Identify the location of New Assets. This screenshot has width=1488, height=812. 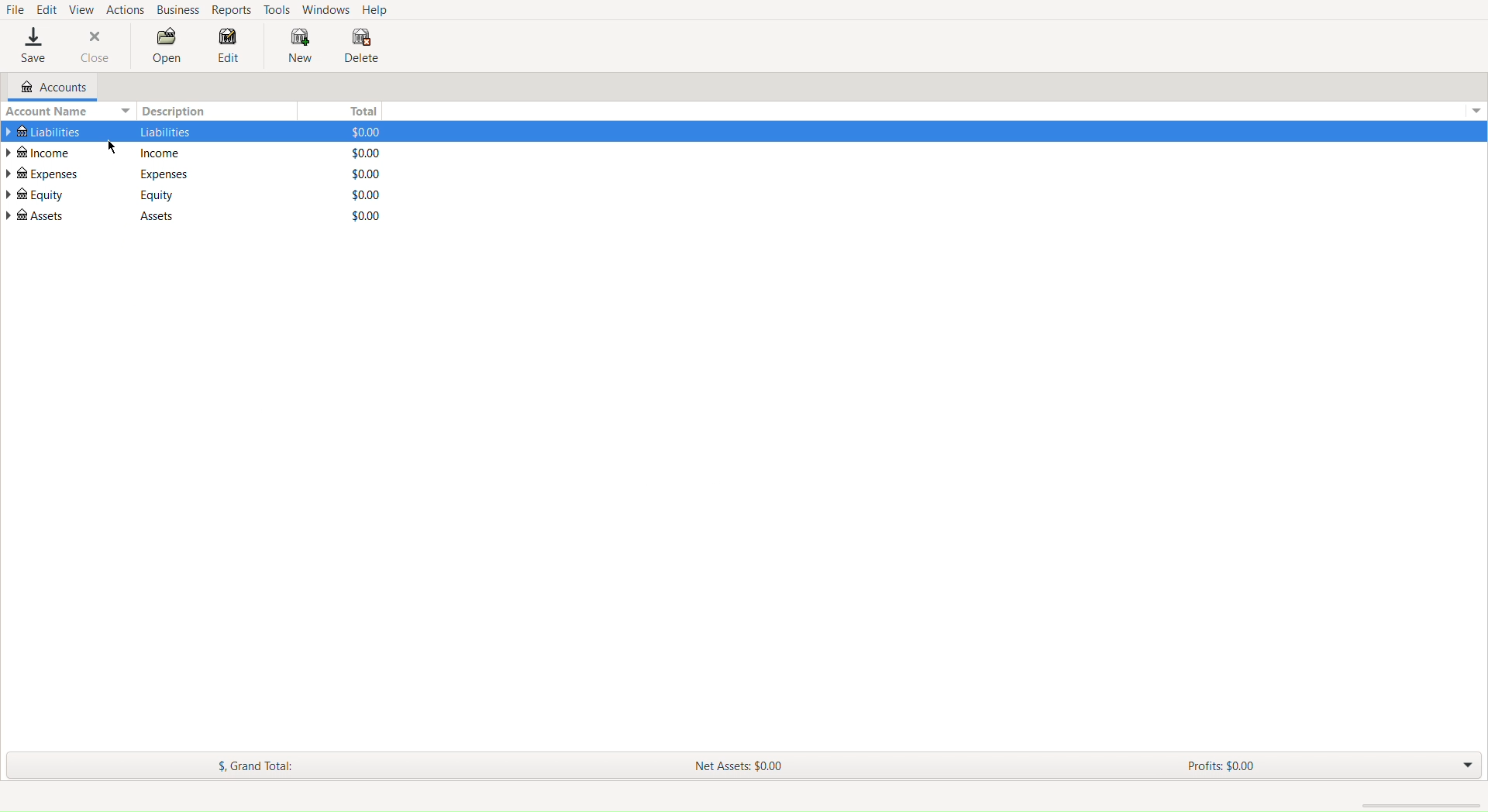
(742, 764).